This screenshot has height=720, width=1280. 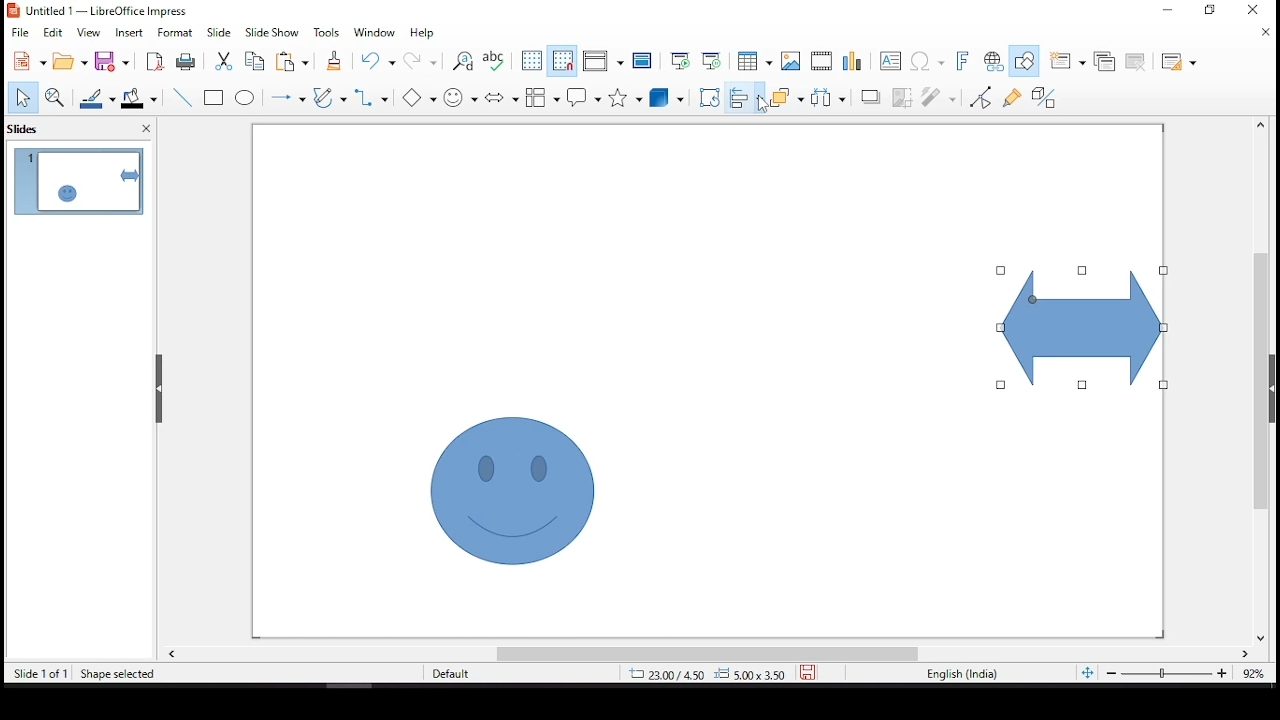 What do you see at coordinates (585, 98) in the screenshot?
I see `callout shapes` at bounding box center [585, 98].